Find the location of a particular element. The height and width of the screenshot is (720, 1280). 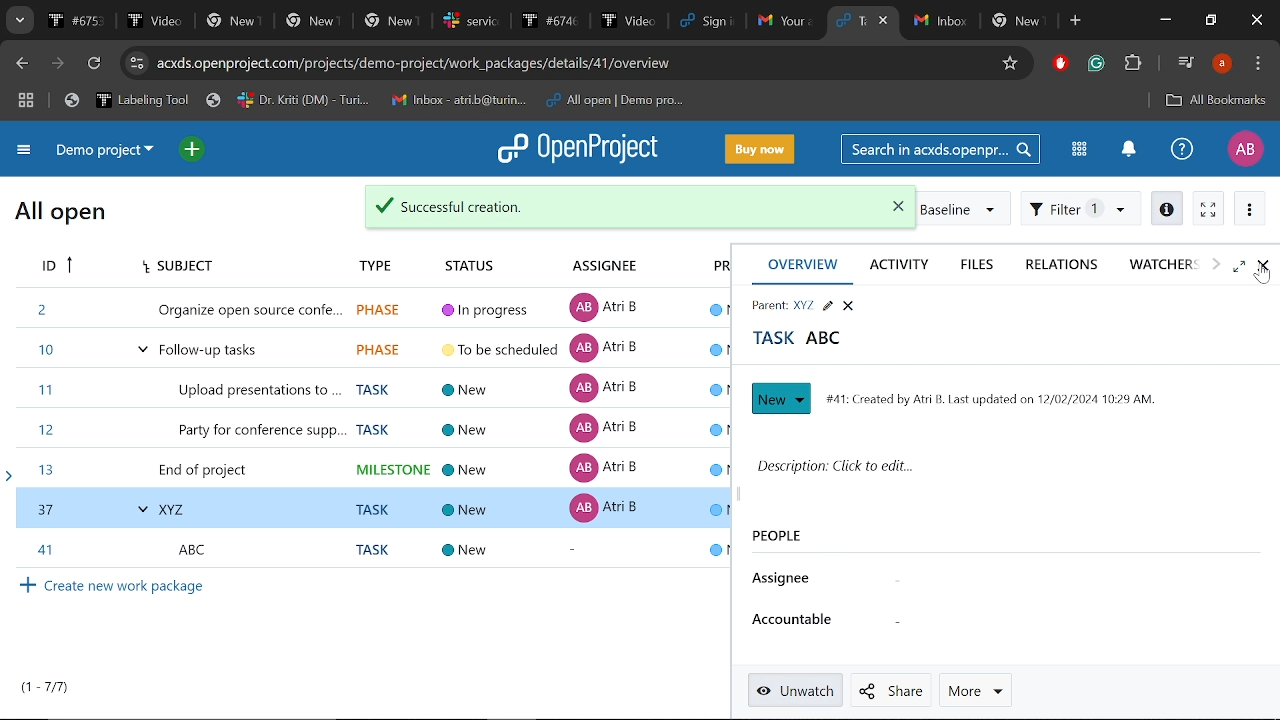

Grammerly is located at coordinates (1098, 64).